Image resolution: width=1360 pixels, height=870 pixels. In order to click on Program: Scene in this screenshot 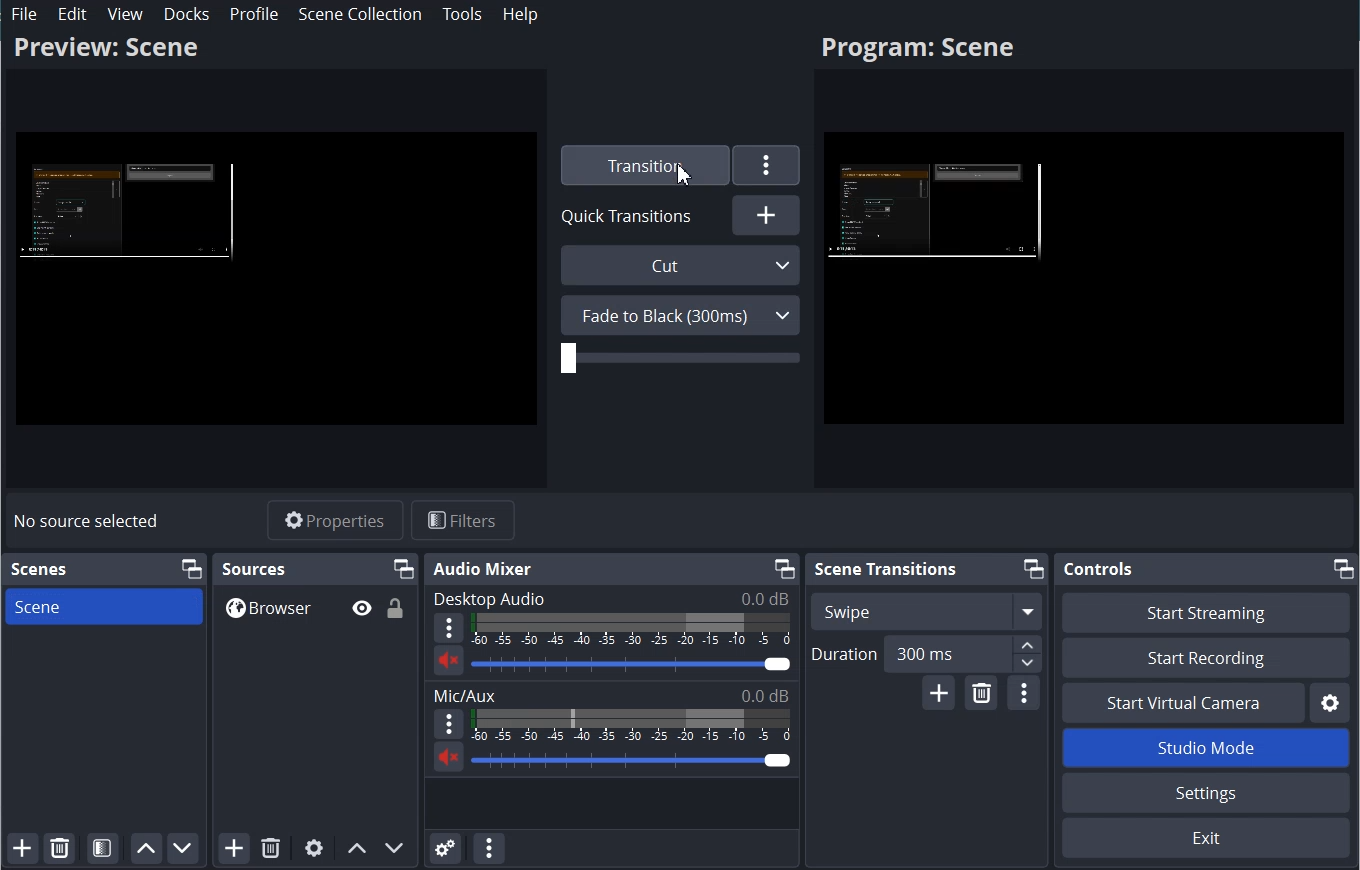, I will do `click(917, 50)`.